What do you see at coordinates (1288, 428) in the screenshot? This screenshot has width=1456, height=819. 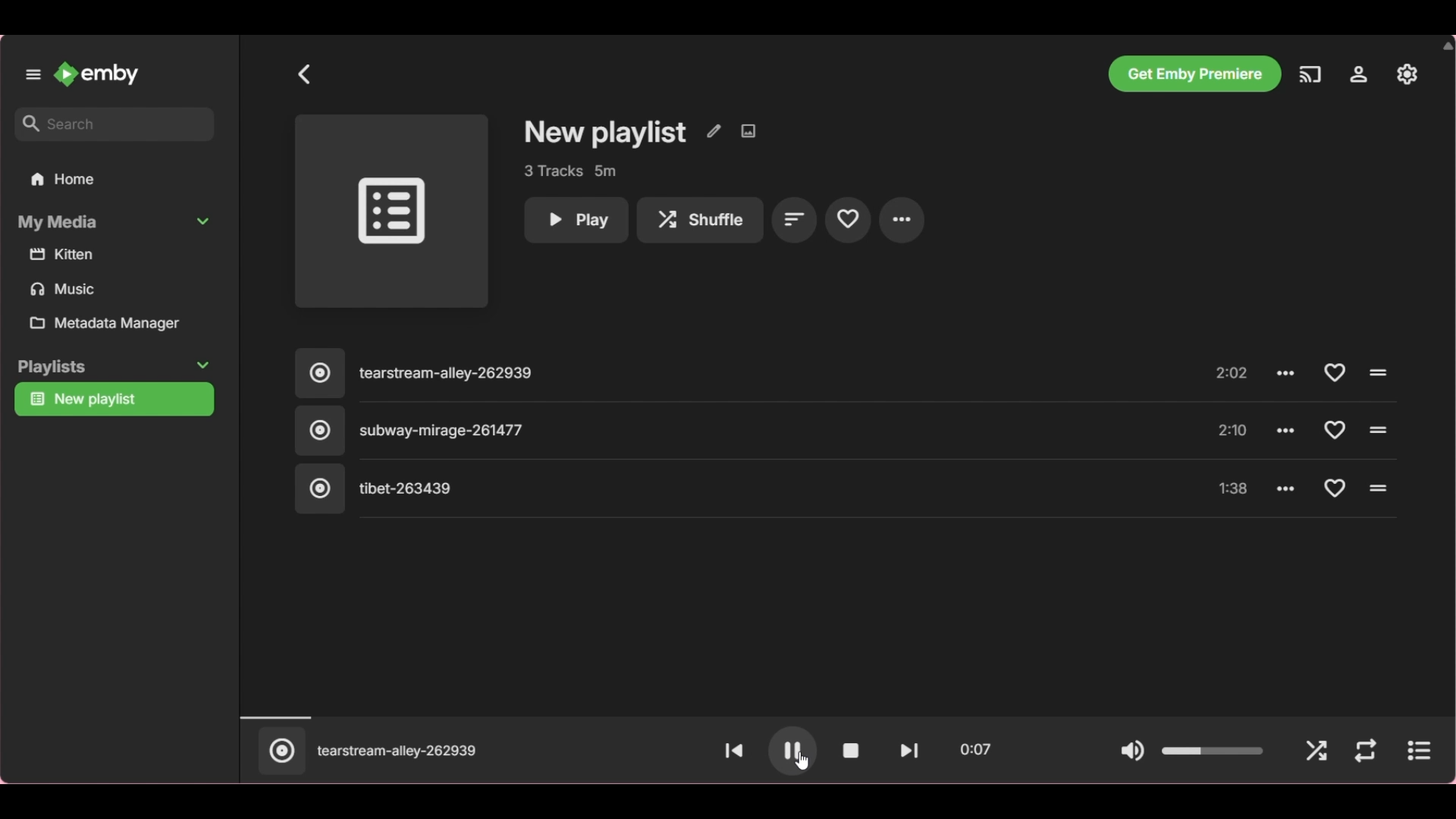 I see `Click to see more options for  song` at bounding box center [1288, 428].